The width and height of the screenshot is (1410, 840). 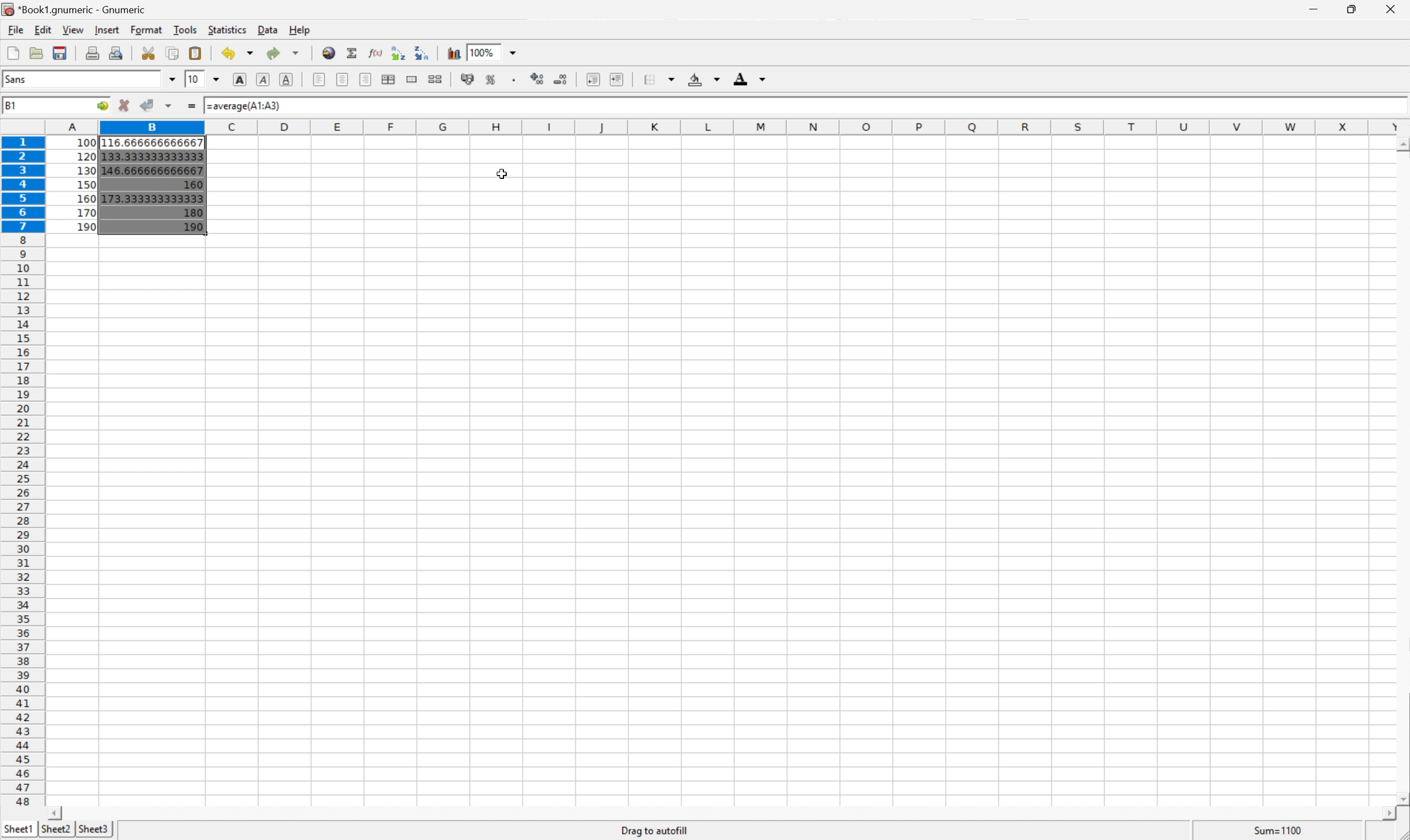 What do you see at coordinates (78, 8) in the screenshot?
I see `*Book1.gnumeric - Gnumeric` at bounding box center [78, 8].